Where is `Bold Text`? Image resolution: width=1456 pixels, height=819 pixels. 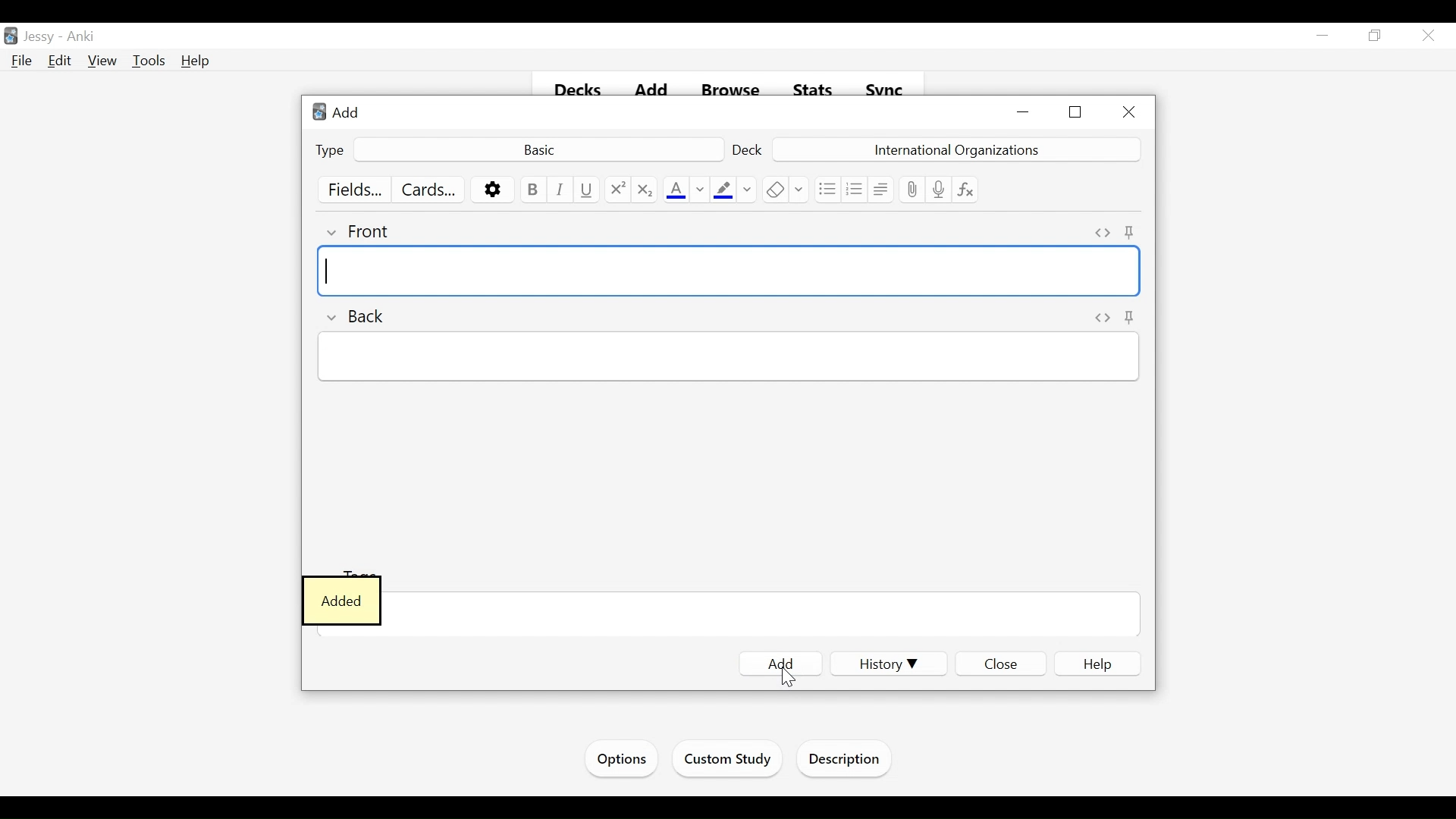 Bold Text is located at coordinates (532, 190).